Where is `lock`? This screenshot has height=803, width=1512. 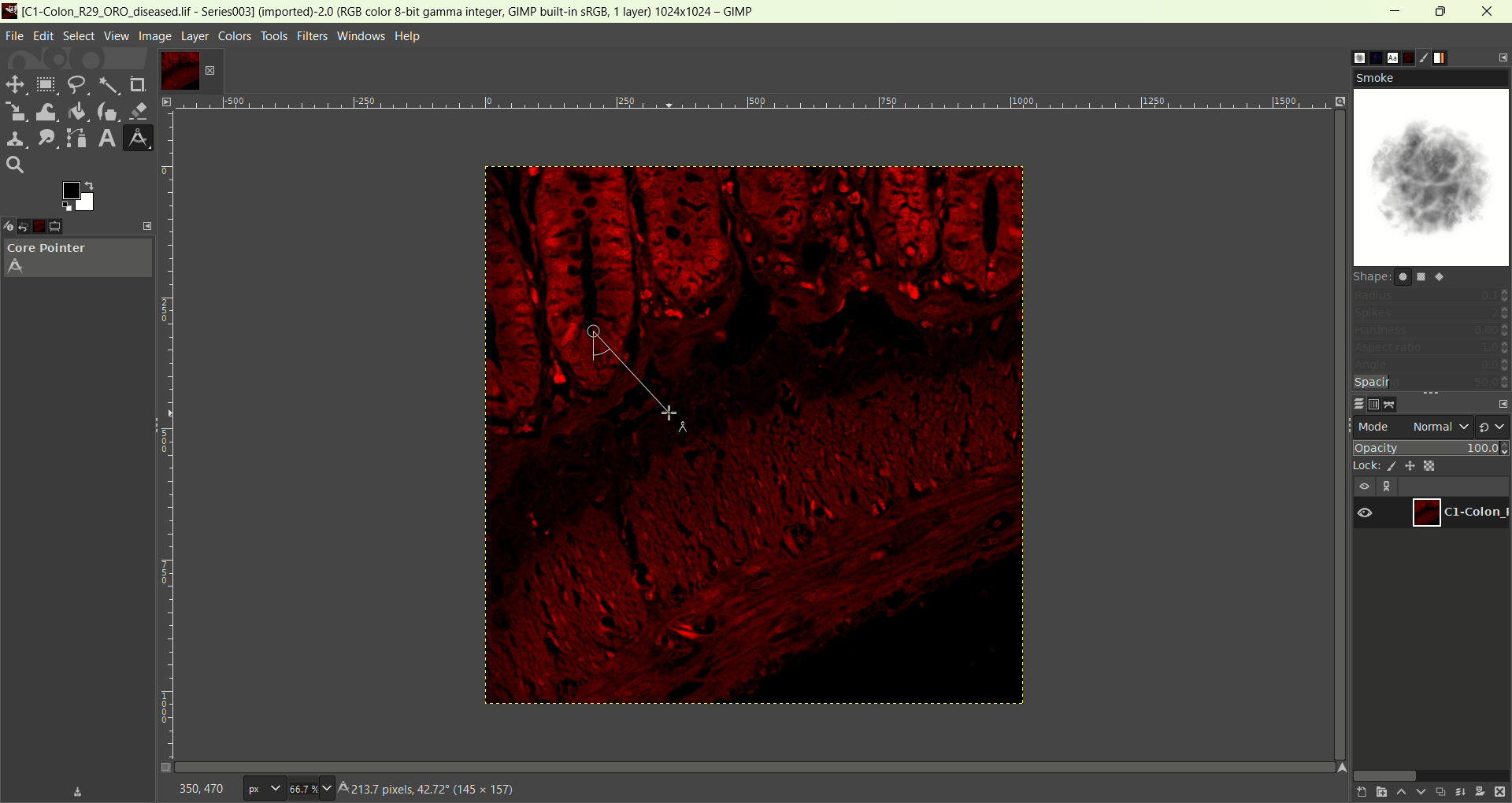
lock is located at coordinates (1363, 467).